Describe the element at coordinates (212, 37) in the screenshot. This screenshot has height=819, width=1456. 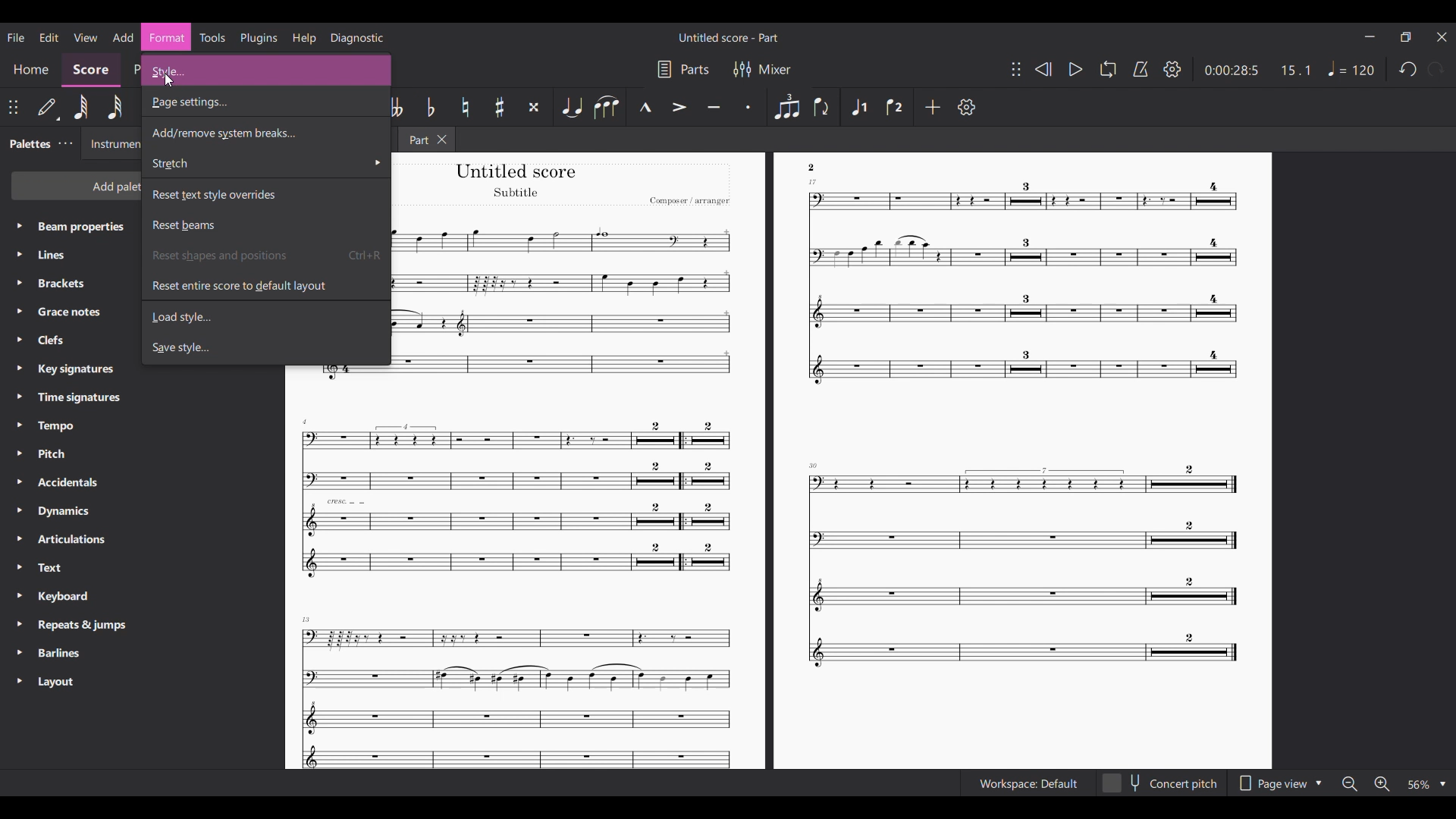
I see `Tools menu` at that location.